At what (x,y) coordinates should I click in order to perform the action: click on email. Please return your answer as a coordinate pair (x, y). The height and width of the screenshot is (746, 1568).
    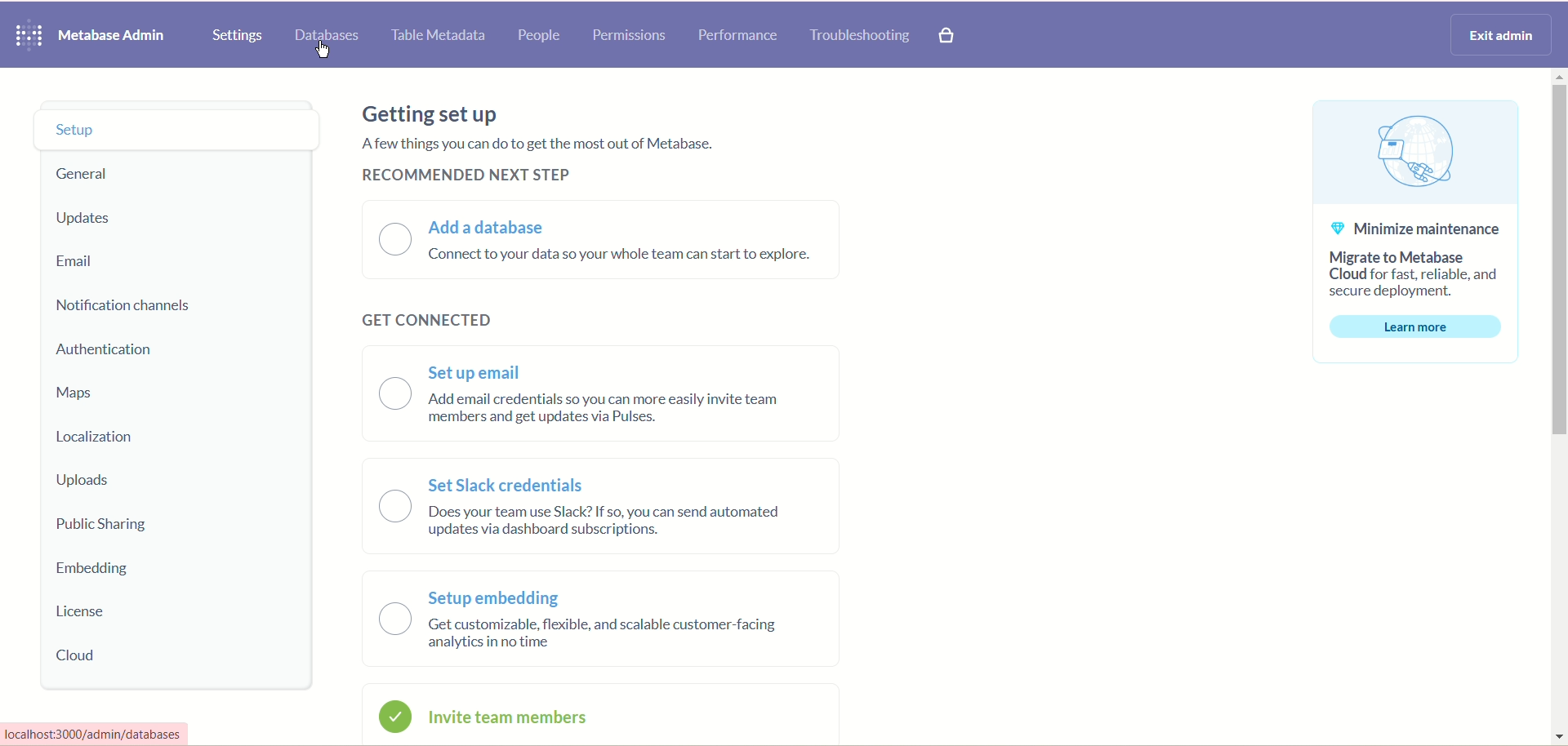
    Looking at the image, I should click on (73, 263).